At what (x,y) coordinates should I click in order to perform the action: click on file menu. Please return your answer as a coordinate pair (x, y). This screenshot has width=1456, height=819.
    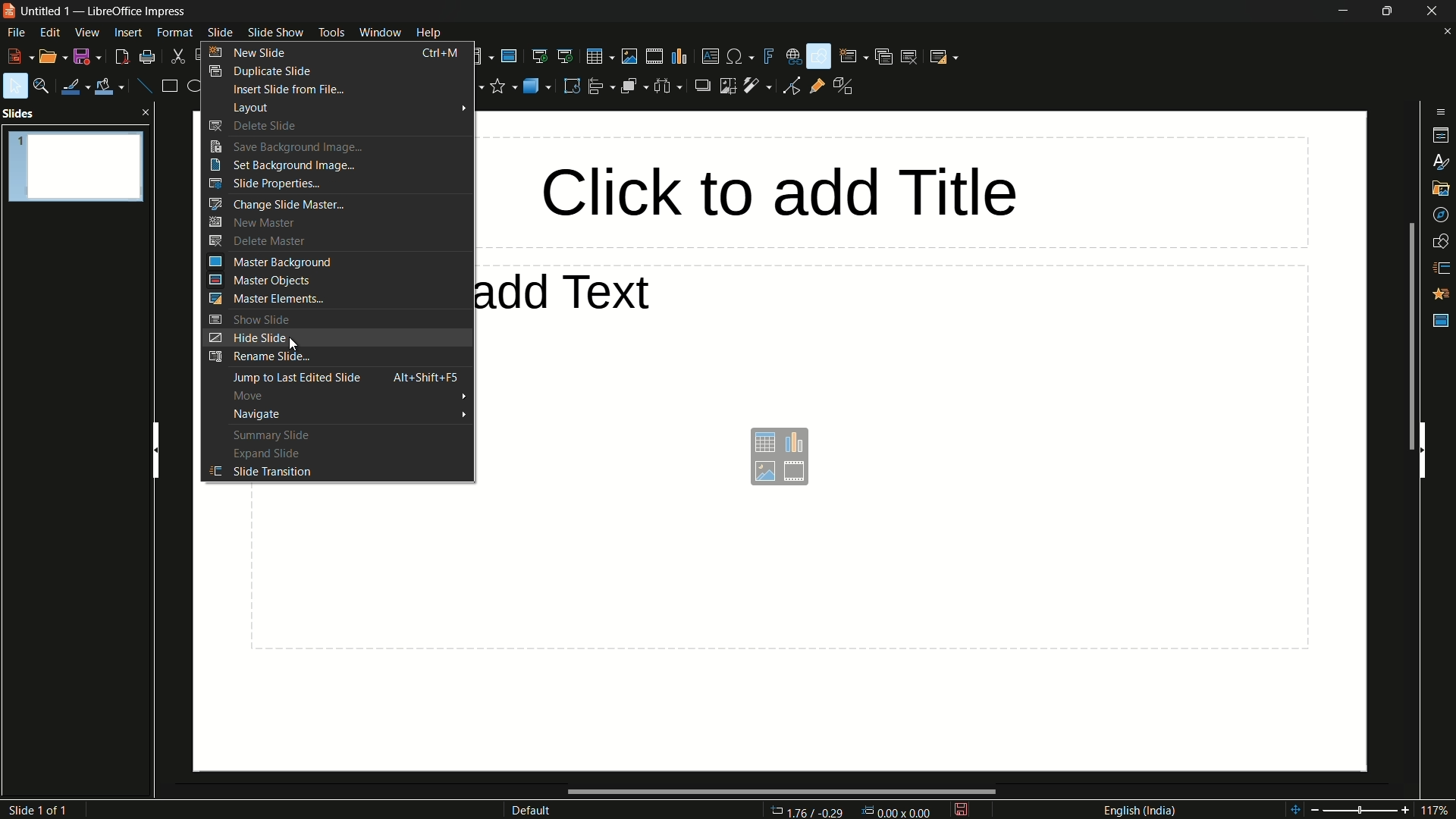
    Looking at the image, I should click on (17, 33).